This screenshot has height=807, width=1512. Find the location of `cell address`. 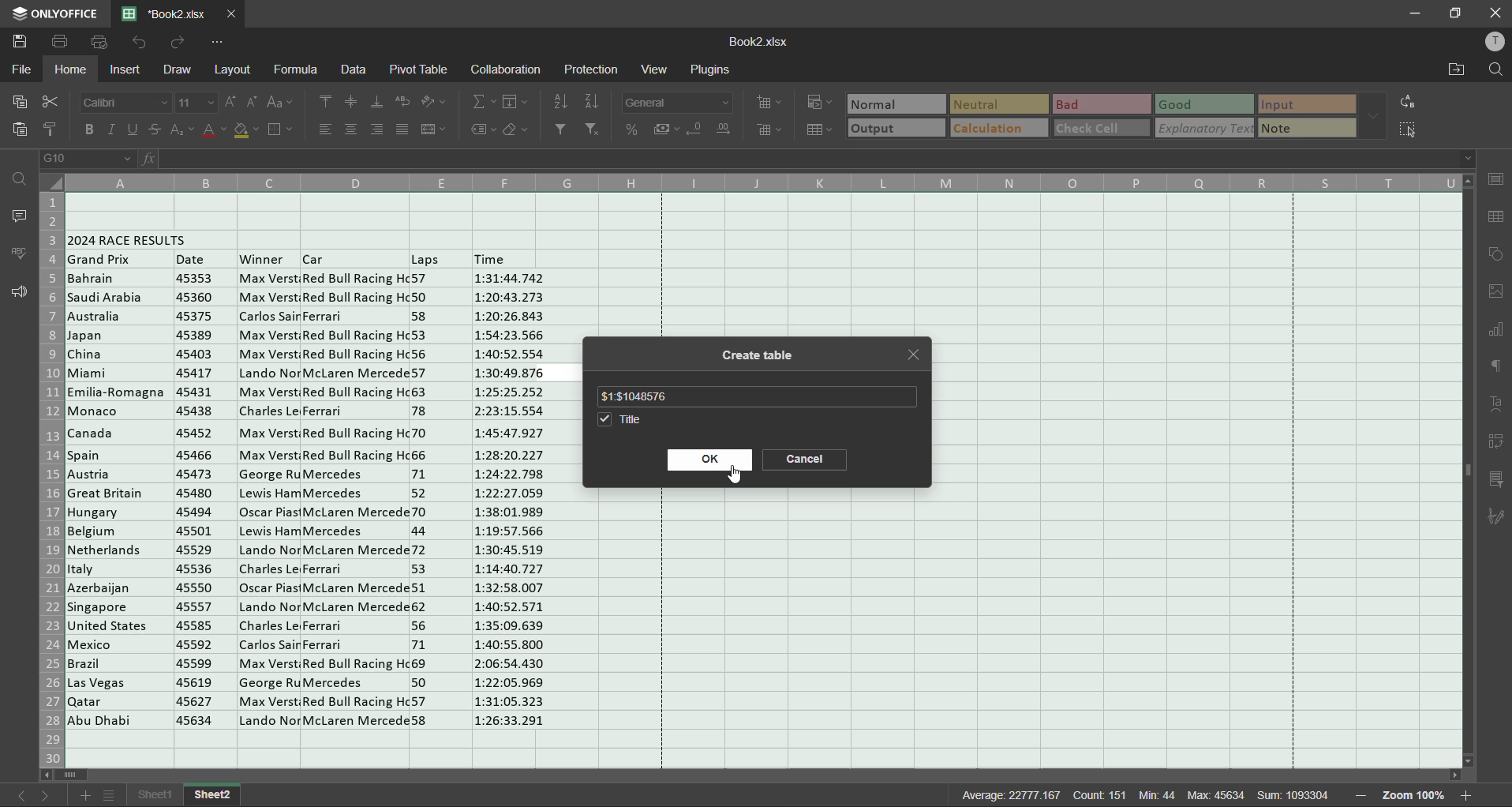

cell address is located at coordinates (87, 160).